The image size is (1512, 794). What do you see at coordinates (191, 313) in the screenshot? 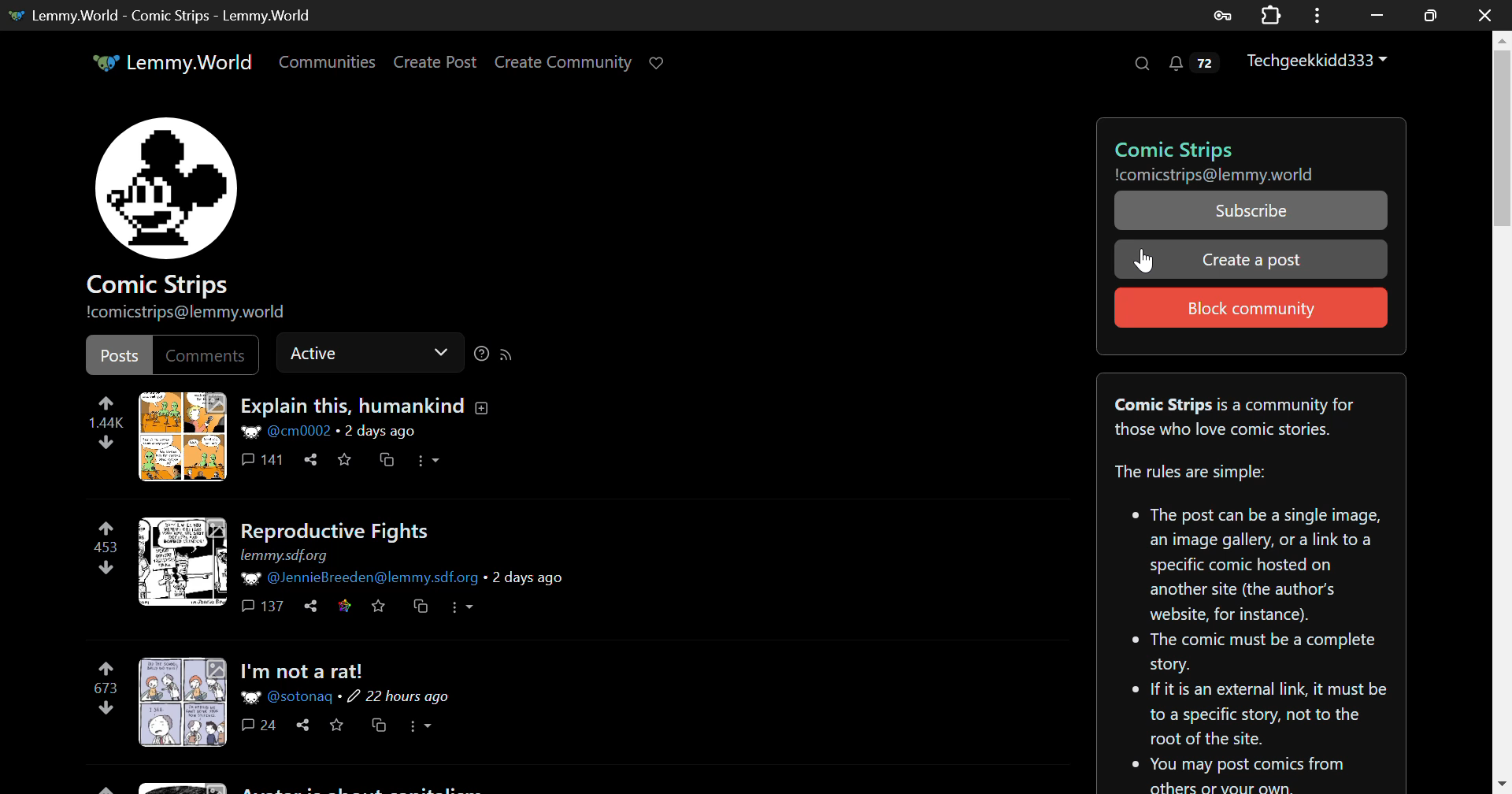
I see `!comicstrips@lemmy.world` at bounding box center [191, 313].